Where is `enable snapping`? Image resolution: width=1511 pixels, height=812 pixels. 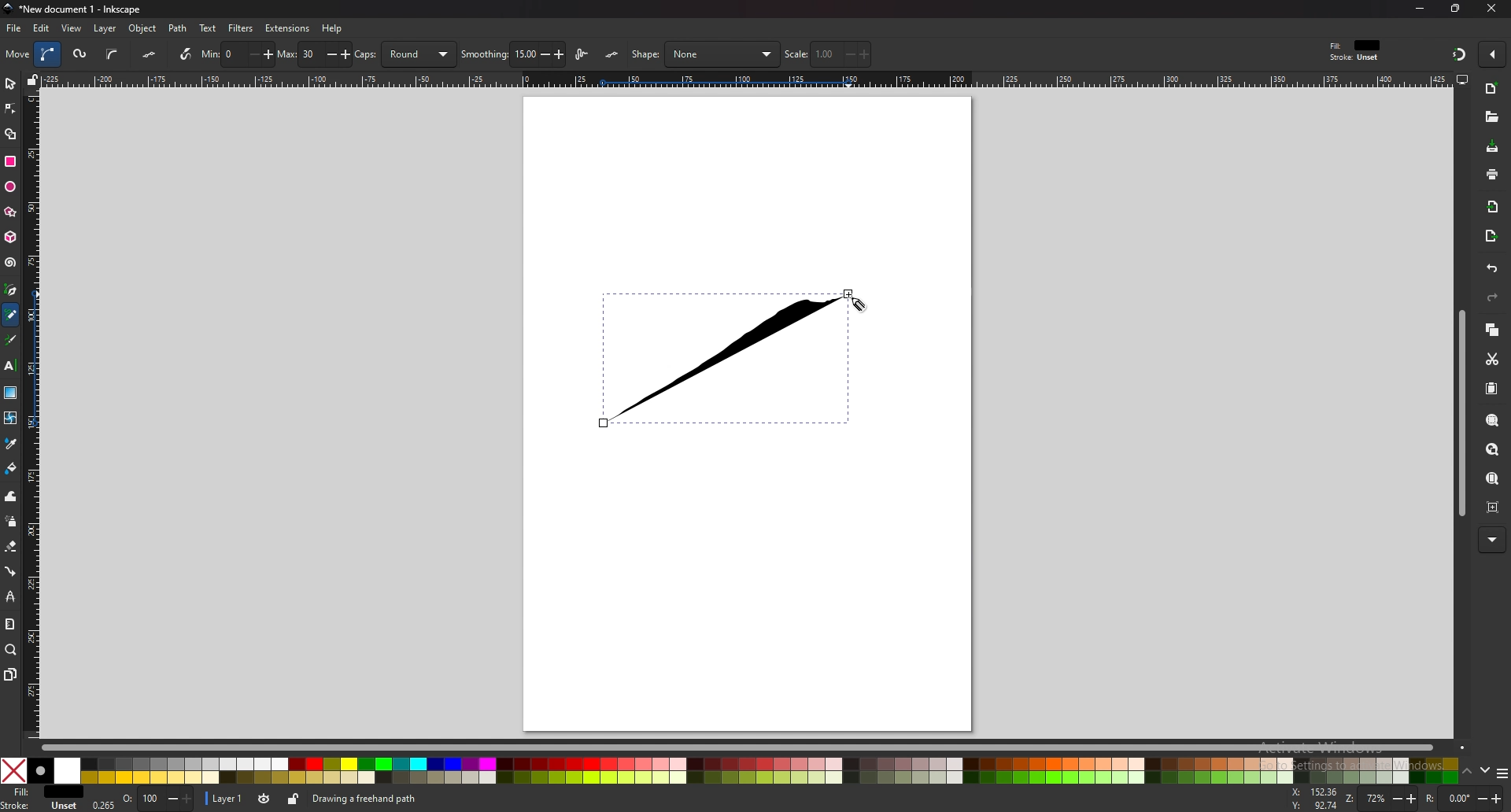
enable snapping is located at coordinates (1491, 54).